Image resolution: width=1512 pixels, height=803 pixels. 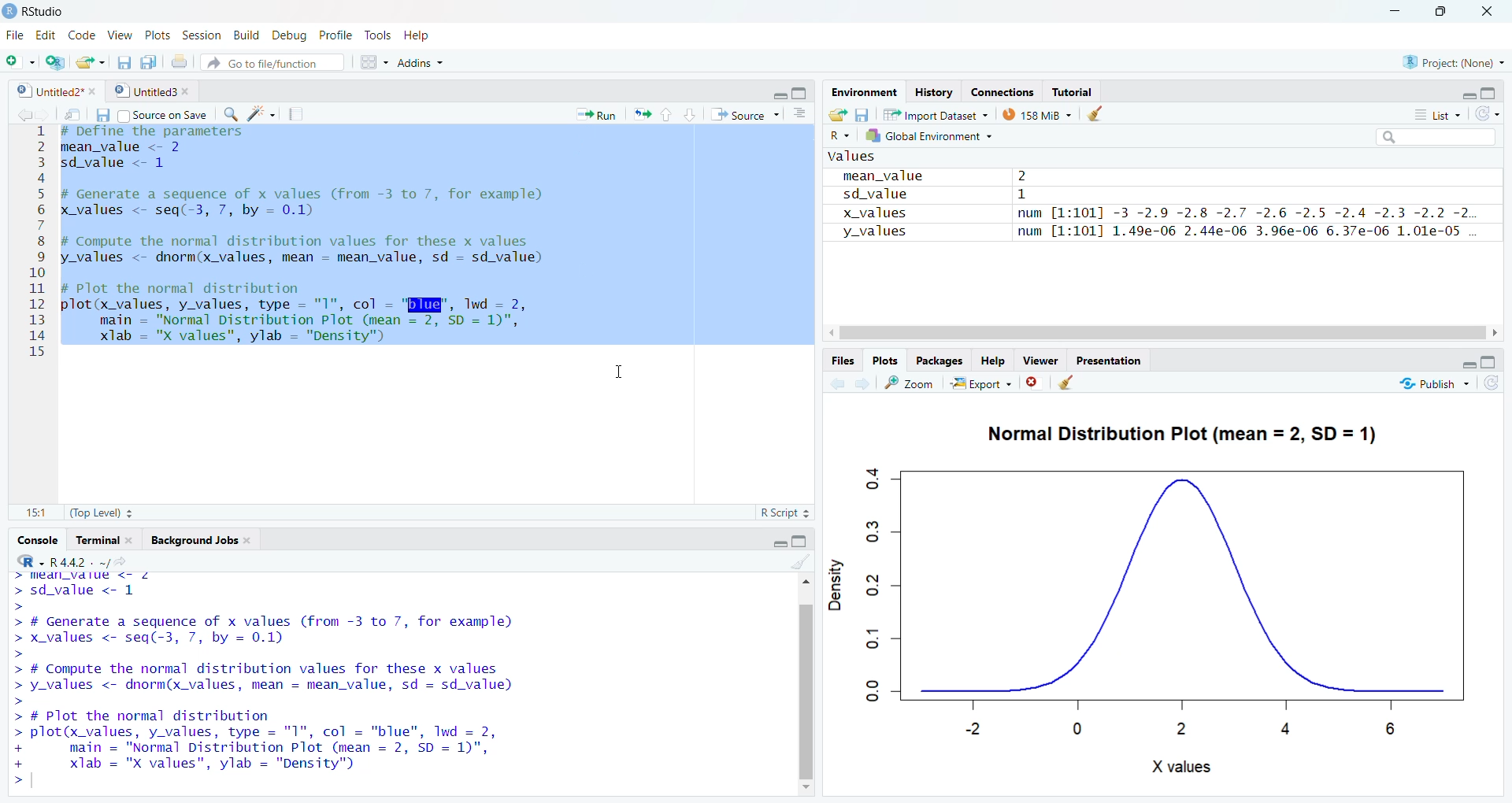 I want to click on Plots, so click(x=157, y=32).